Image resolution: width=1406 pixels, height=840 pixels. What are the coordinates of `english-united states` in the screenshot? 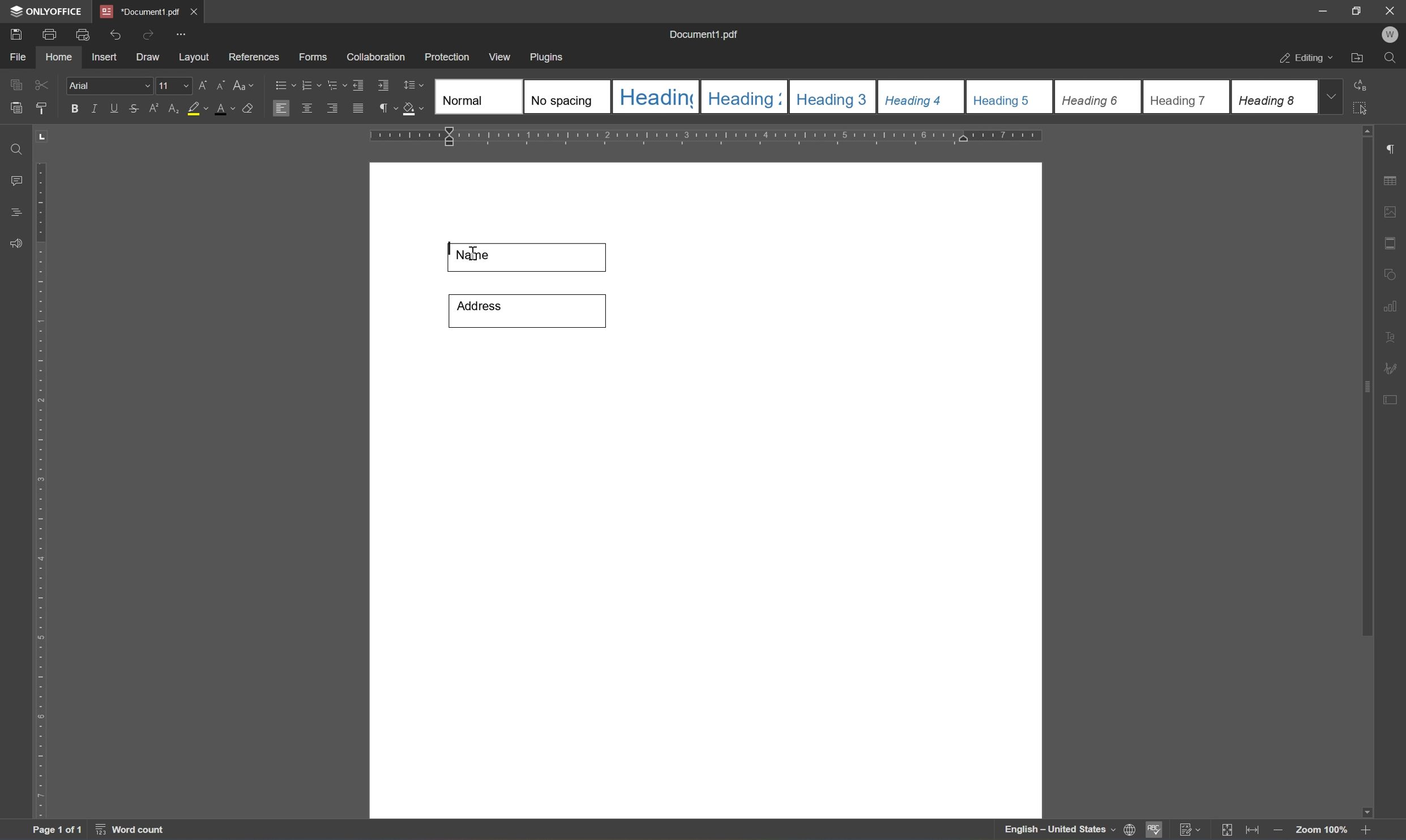 It's located at (1061, 832).